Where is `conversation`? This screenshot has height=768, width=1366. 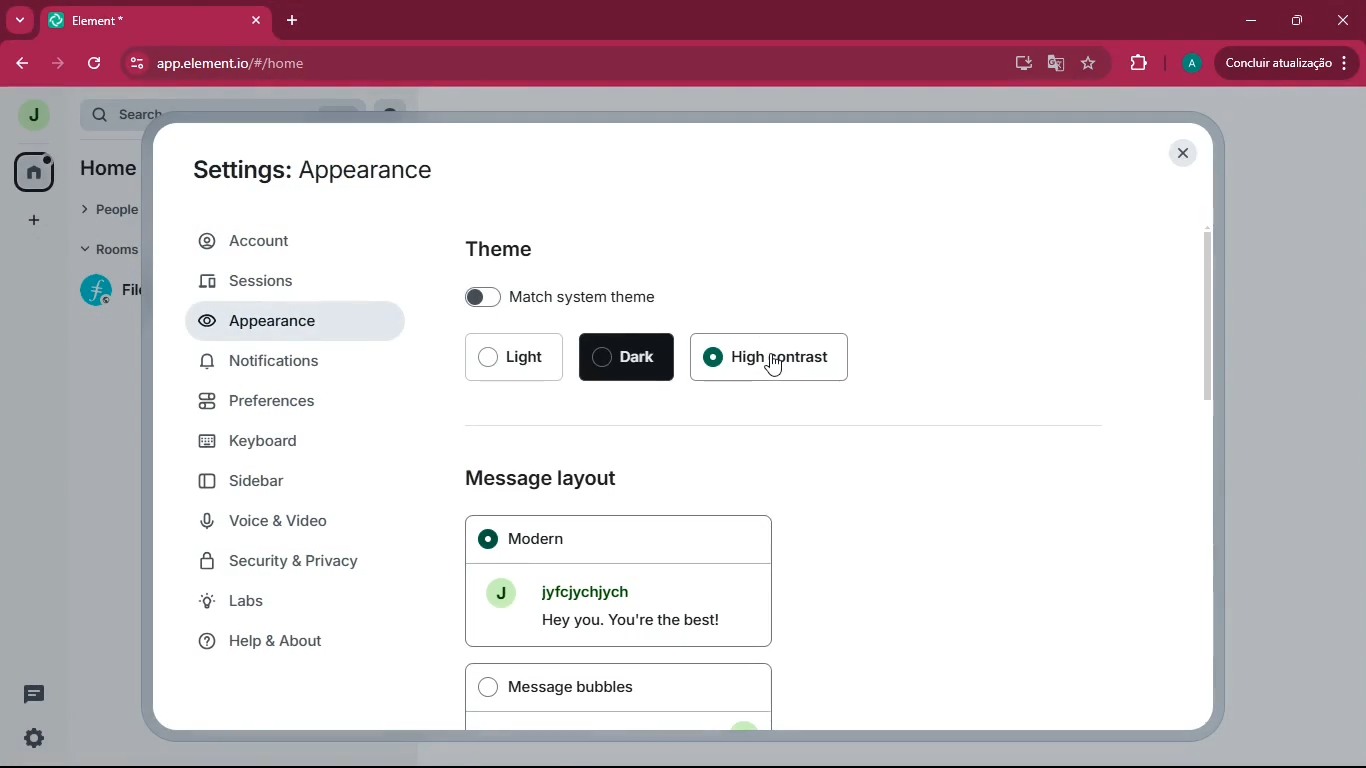
conversation is located at coordinates (32, 693).